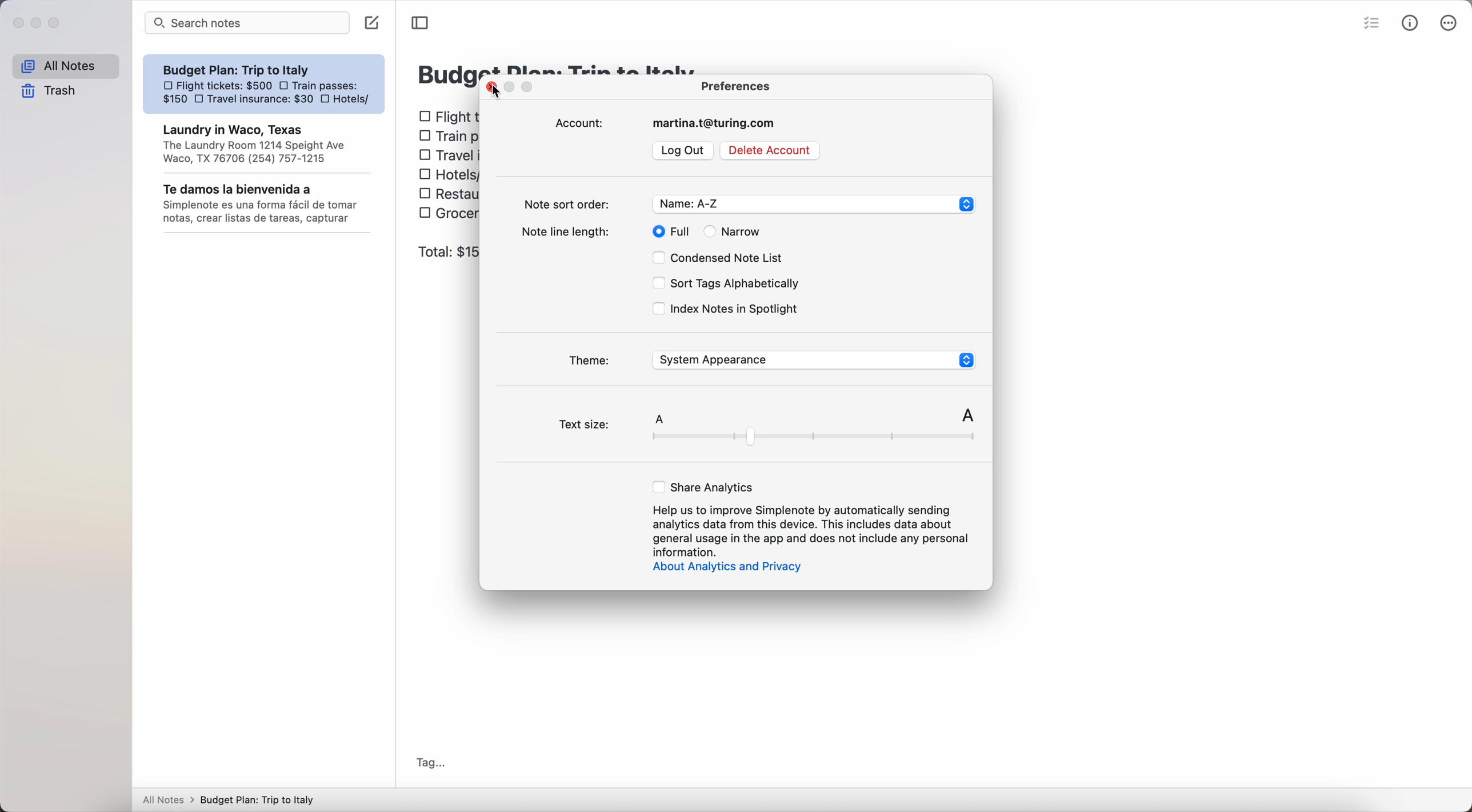  Describe the element at coordinates (670, 123) in the screenshot. I see `account: martina.t@turing.com` at that location.